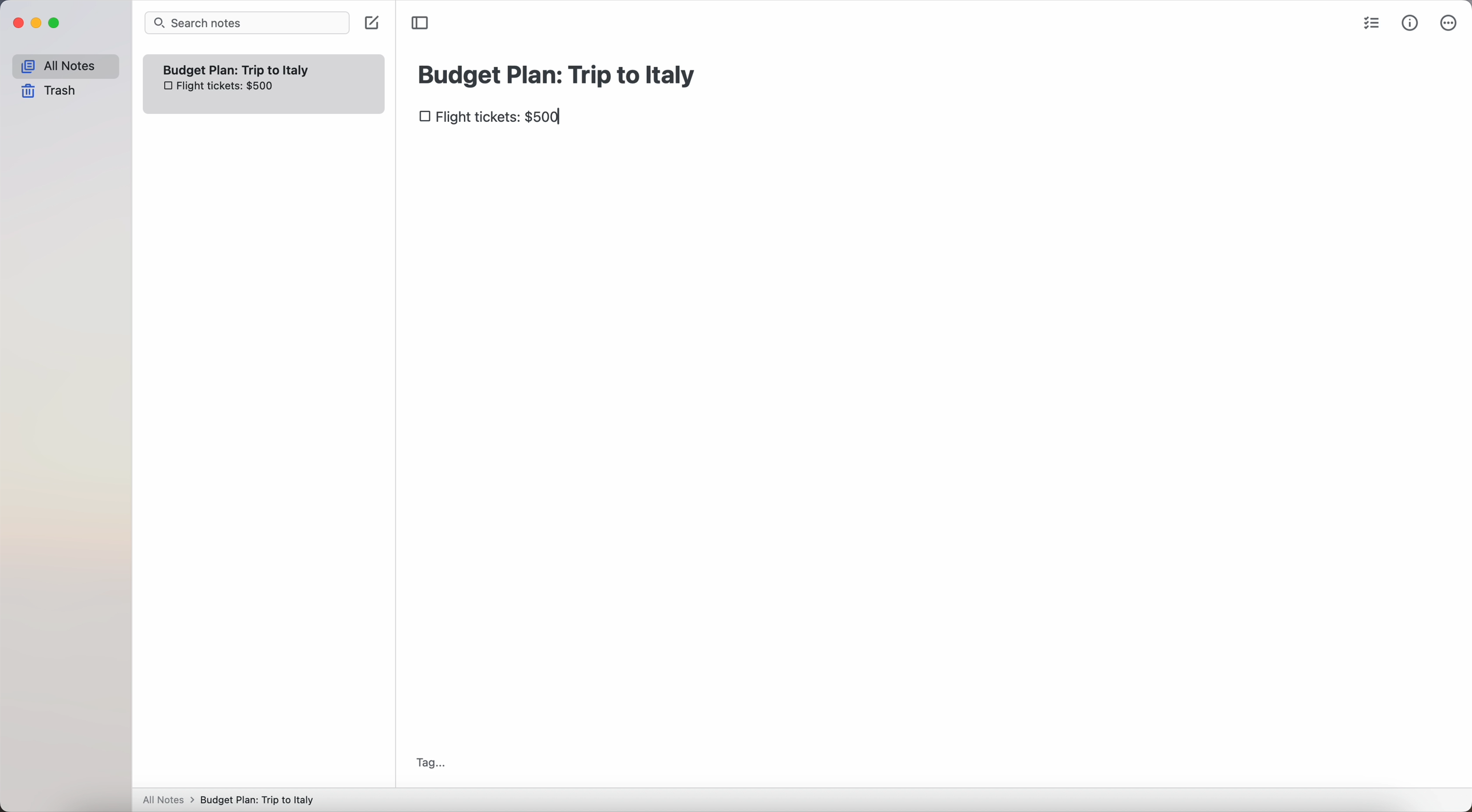 This screenshot has height=812, width=1472. I want to click on metrics, so click(1410, 25).